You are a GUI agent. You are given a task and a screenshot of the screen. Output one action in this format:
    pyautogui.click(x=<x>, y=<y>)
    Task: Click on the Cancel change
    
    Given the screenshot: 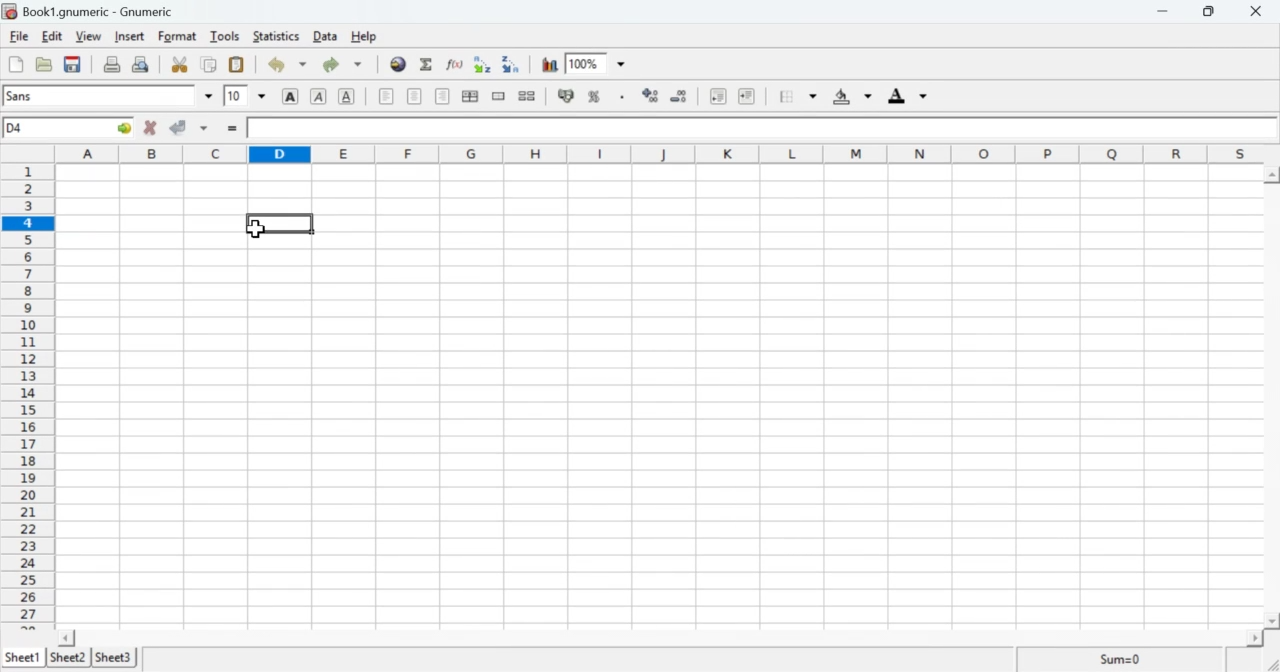 What is the action you would take?
    pyautogui.click(x=151, y=129)
    